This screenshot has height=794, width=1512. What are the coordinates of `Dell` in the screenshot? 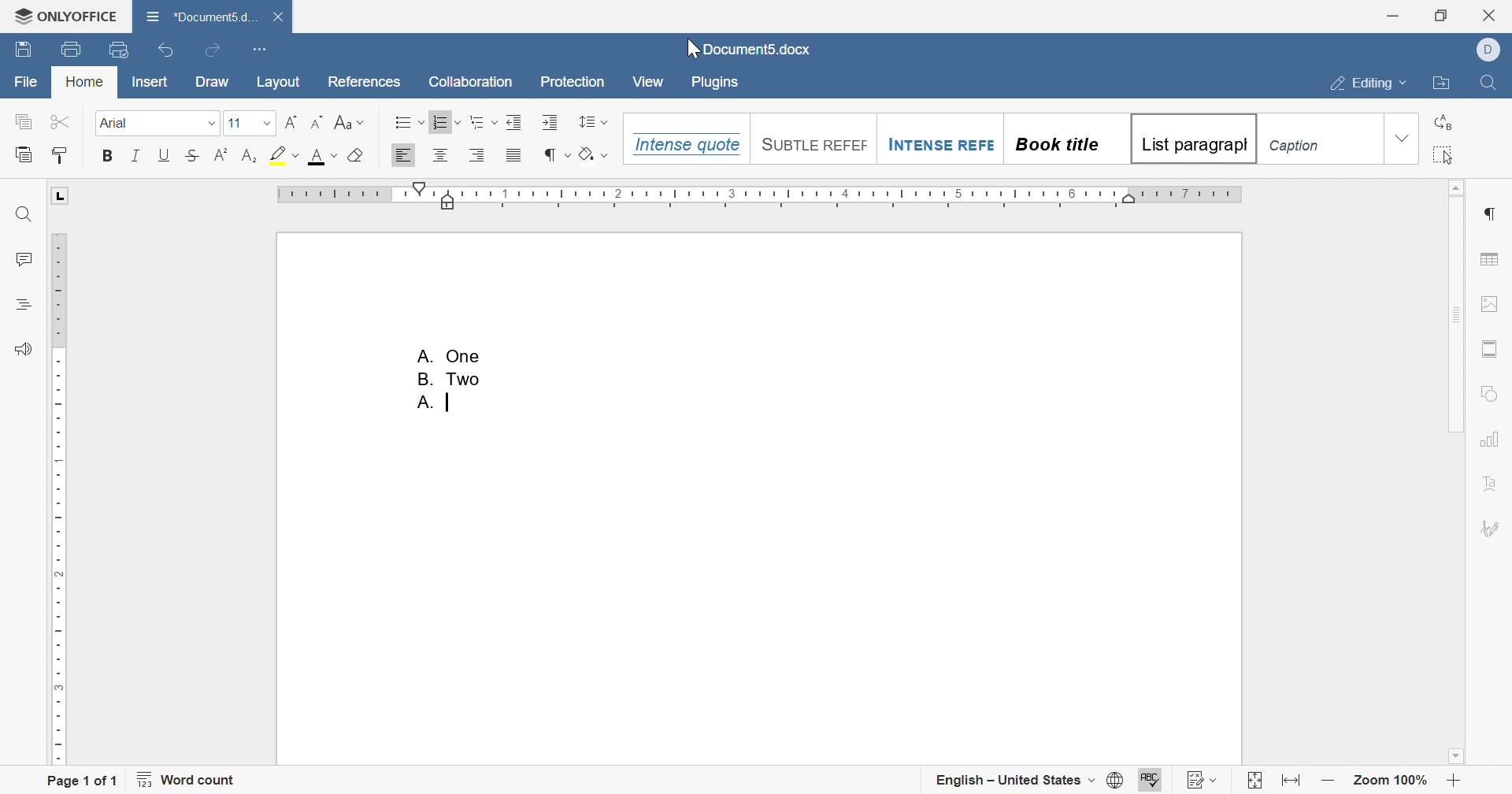 It's located at (1492, 48).